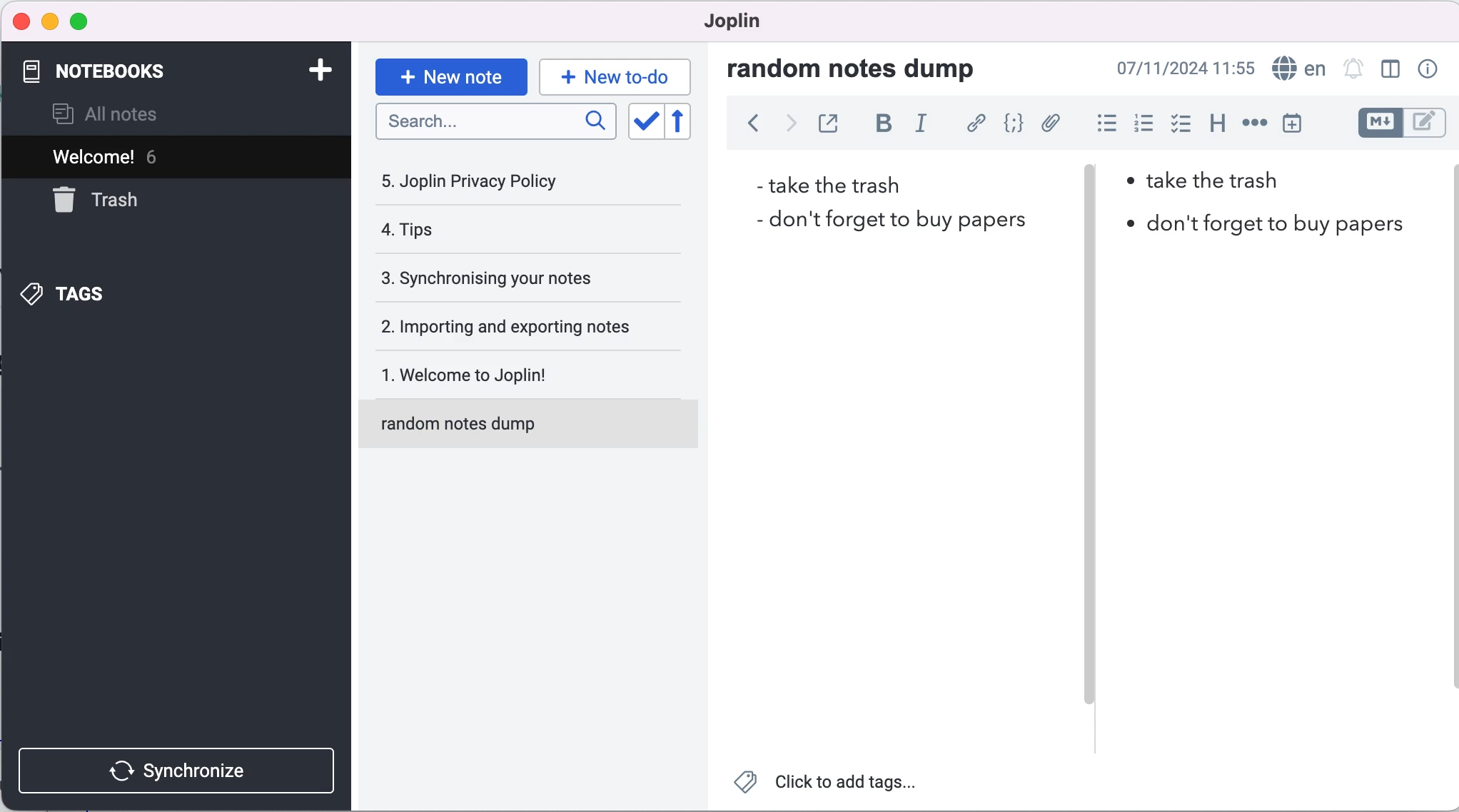  Describe the element at coordinates (535, 430) in the screenshot. I see `random notes dump` at that location.